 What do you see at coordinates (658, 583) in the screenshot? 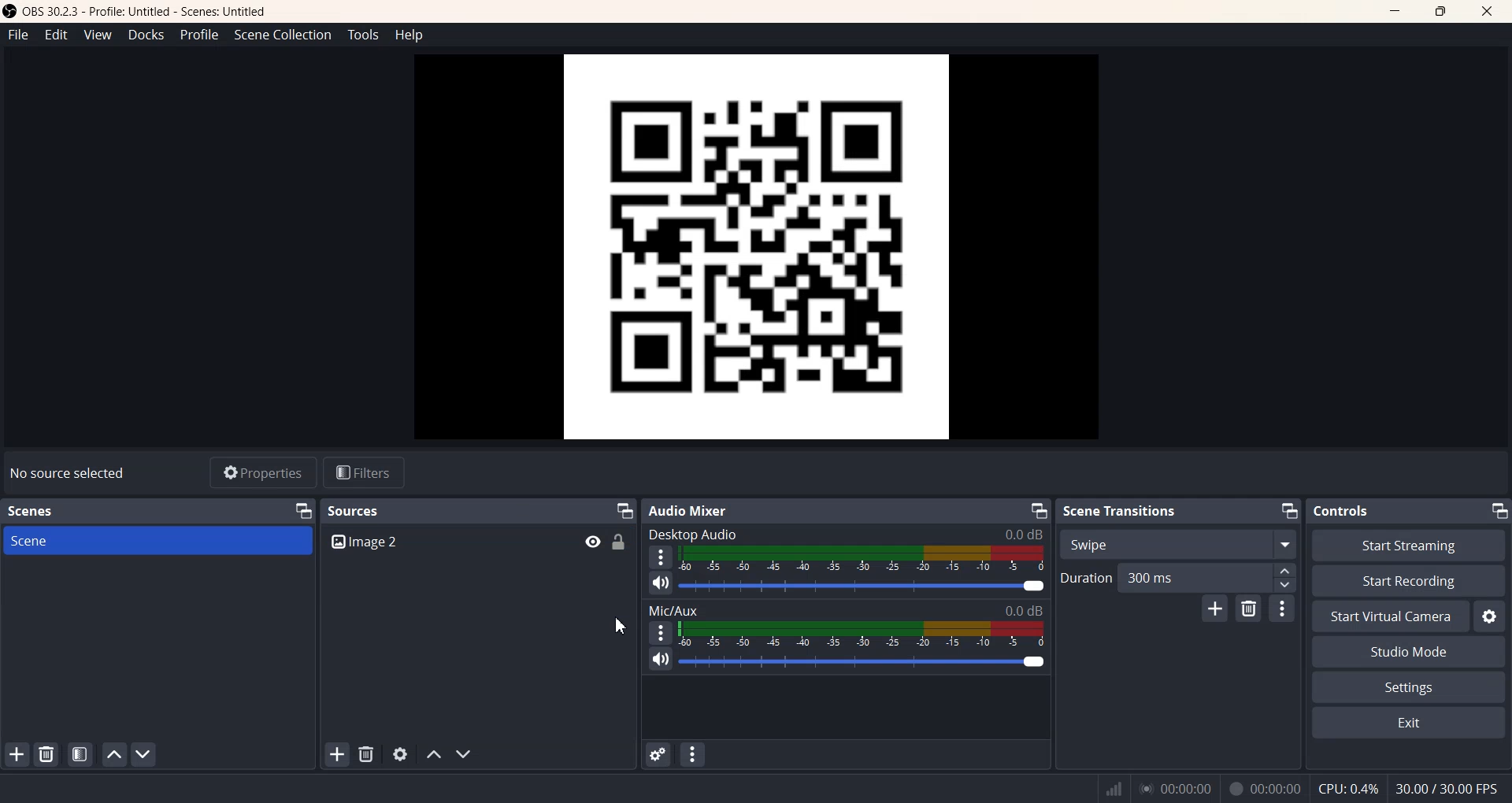
I see `Mute/ Unmute` at bounding box center [658, 583].